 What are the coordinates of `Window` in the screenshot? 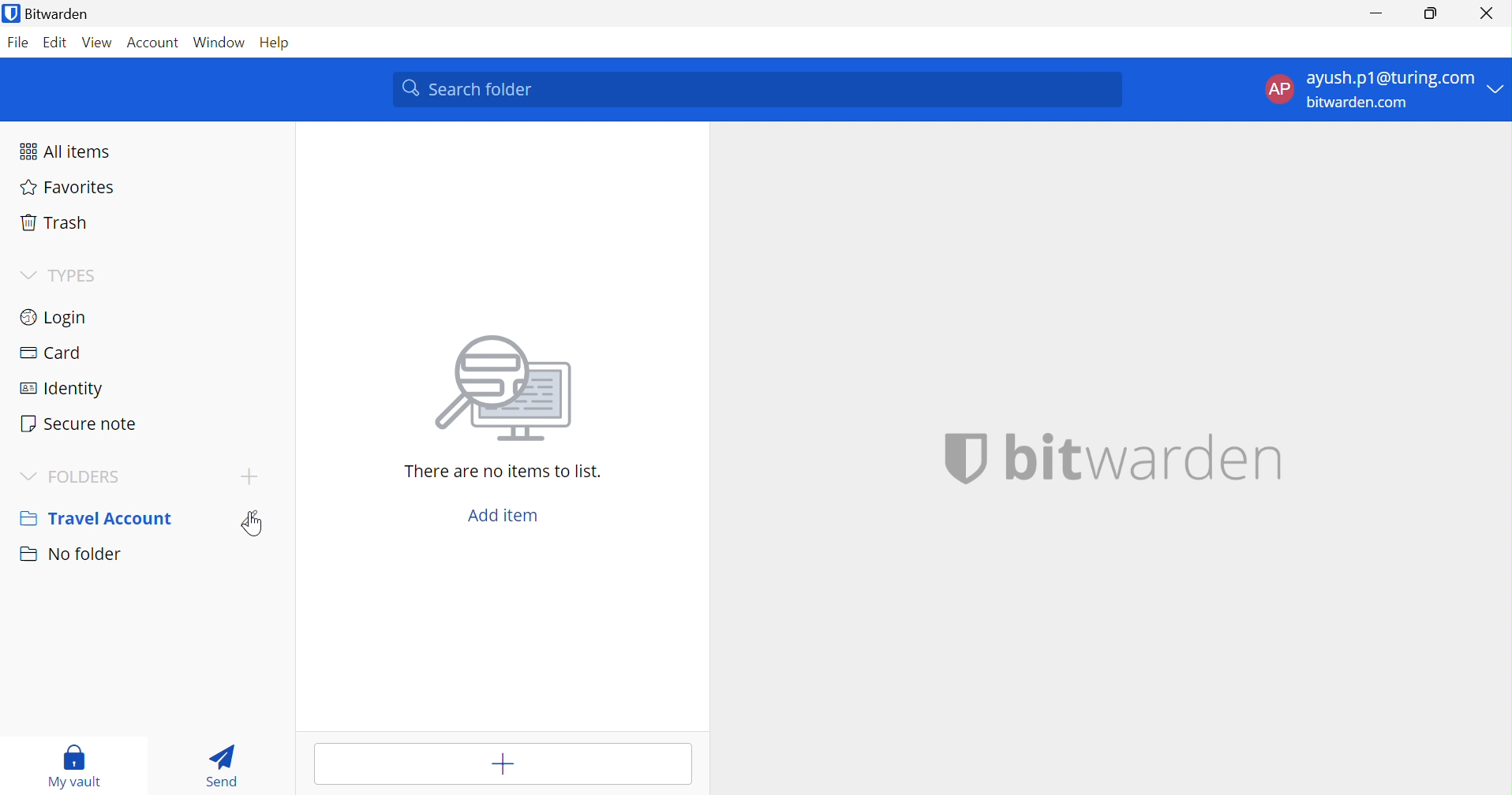 It's located at (219, 41).